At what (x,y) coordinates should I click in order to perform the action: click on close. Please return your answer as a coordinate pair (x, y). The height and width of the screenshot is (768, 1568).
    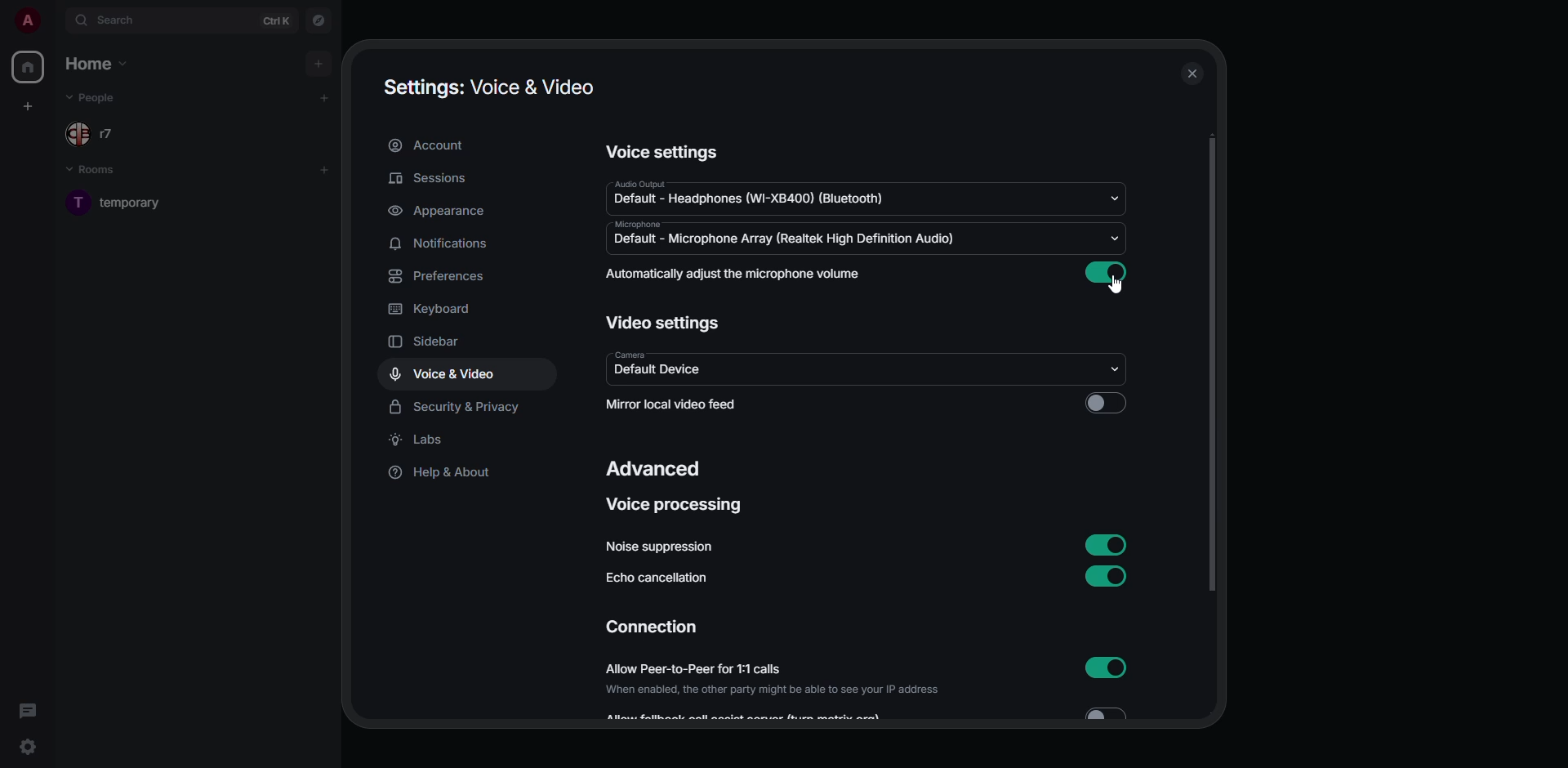
    Looking at the image, I should click on (1193, 74).